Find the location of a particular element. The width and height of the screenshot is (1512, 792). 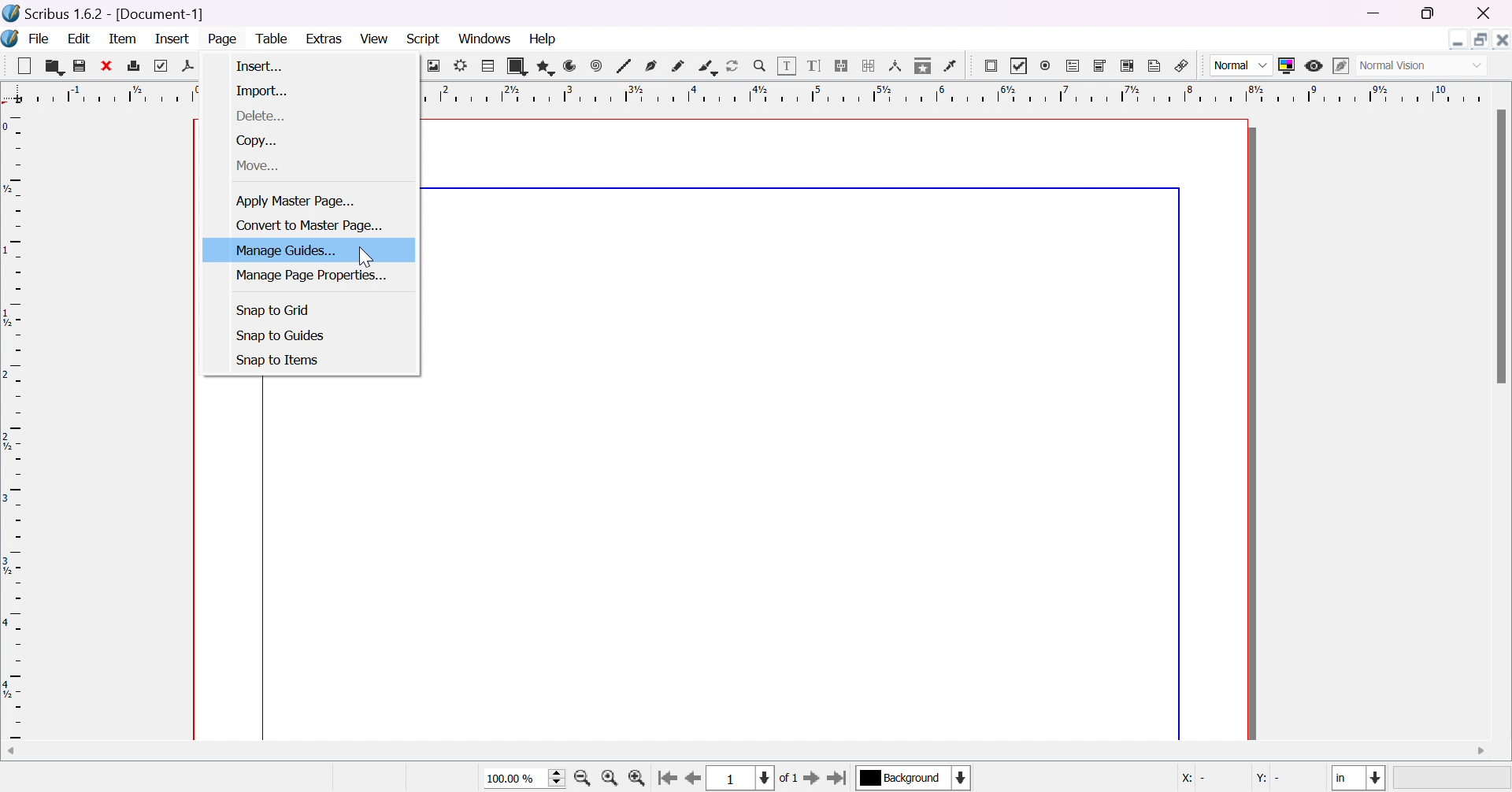

close is located at coordinates (1488, 11).